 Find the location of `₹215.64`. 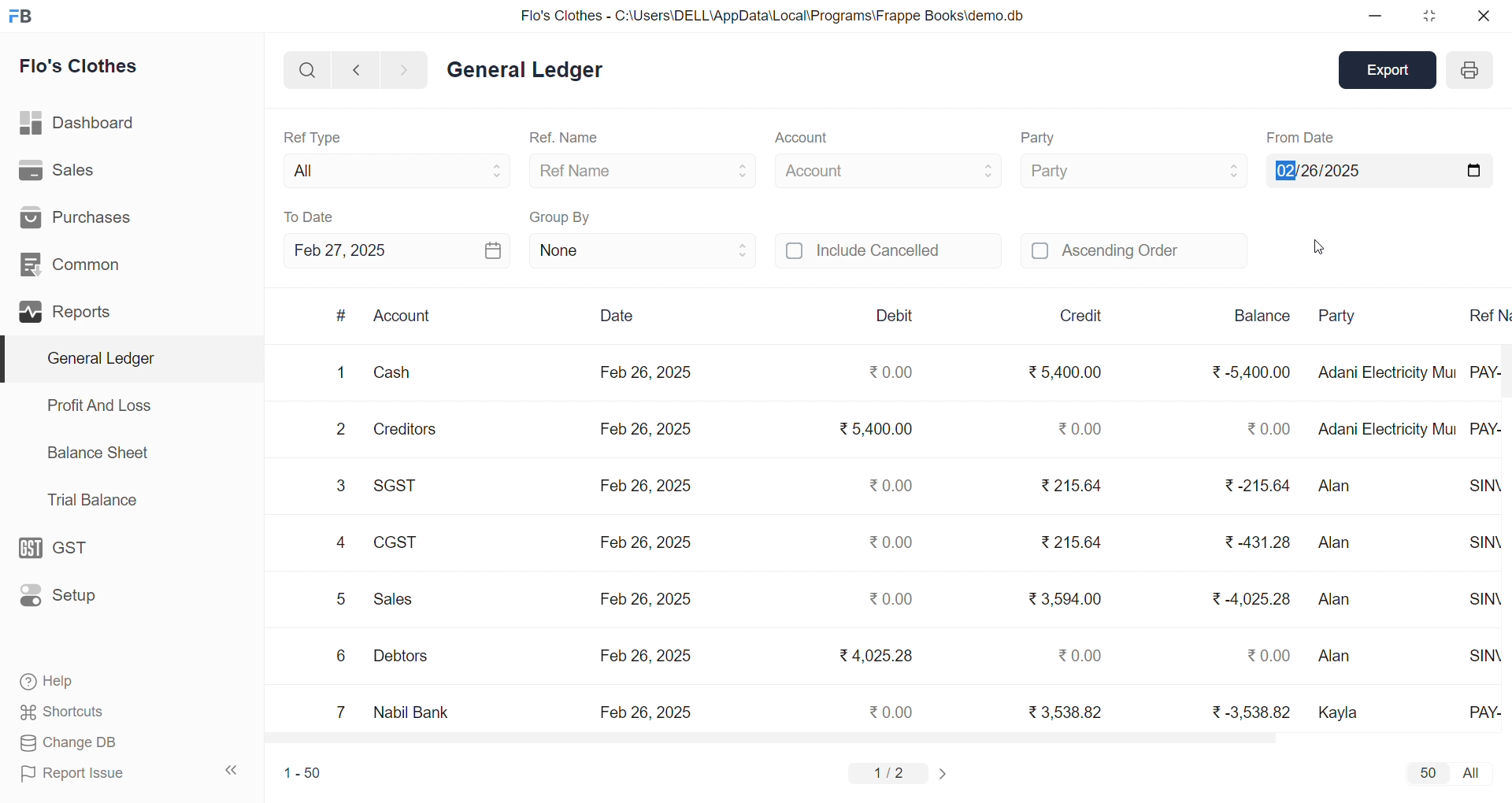

₹215.64 is located at coordinates (1073, 485).